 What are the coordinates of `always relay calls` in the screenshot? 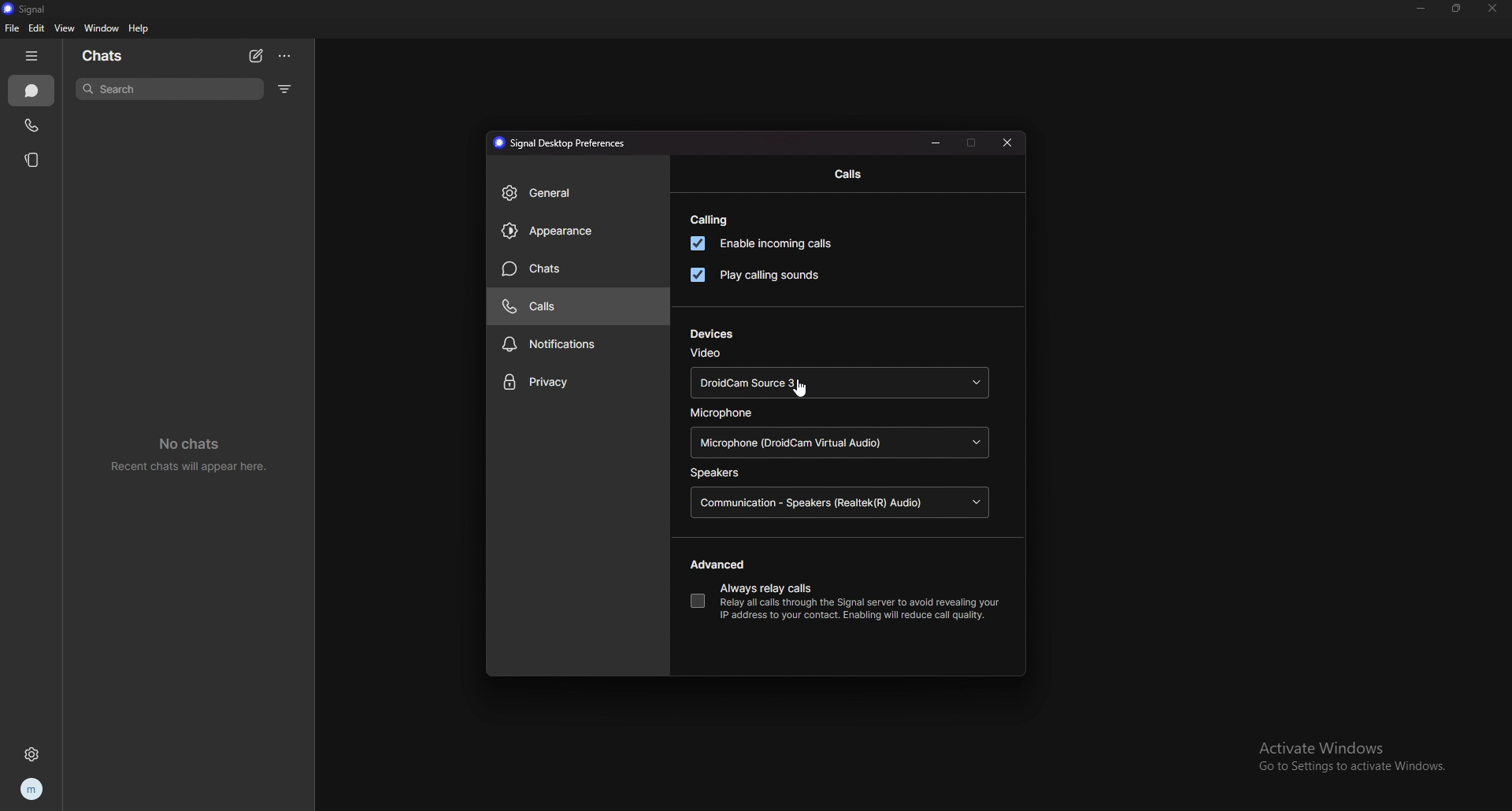 It's located at (768, 590).